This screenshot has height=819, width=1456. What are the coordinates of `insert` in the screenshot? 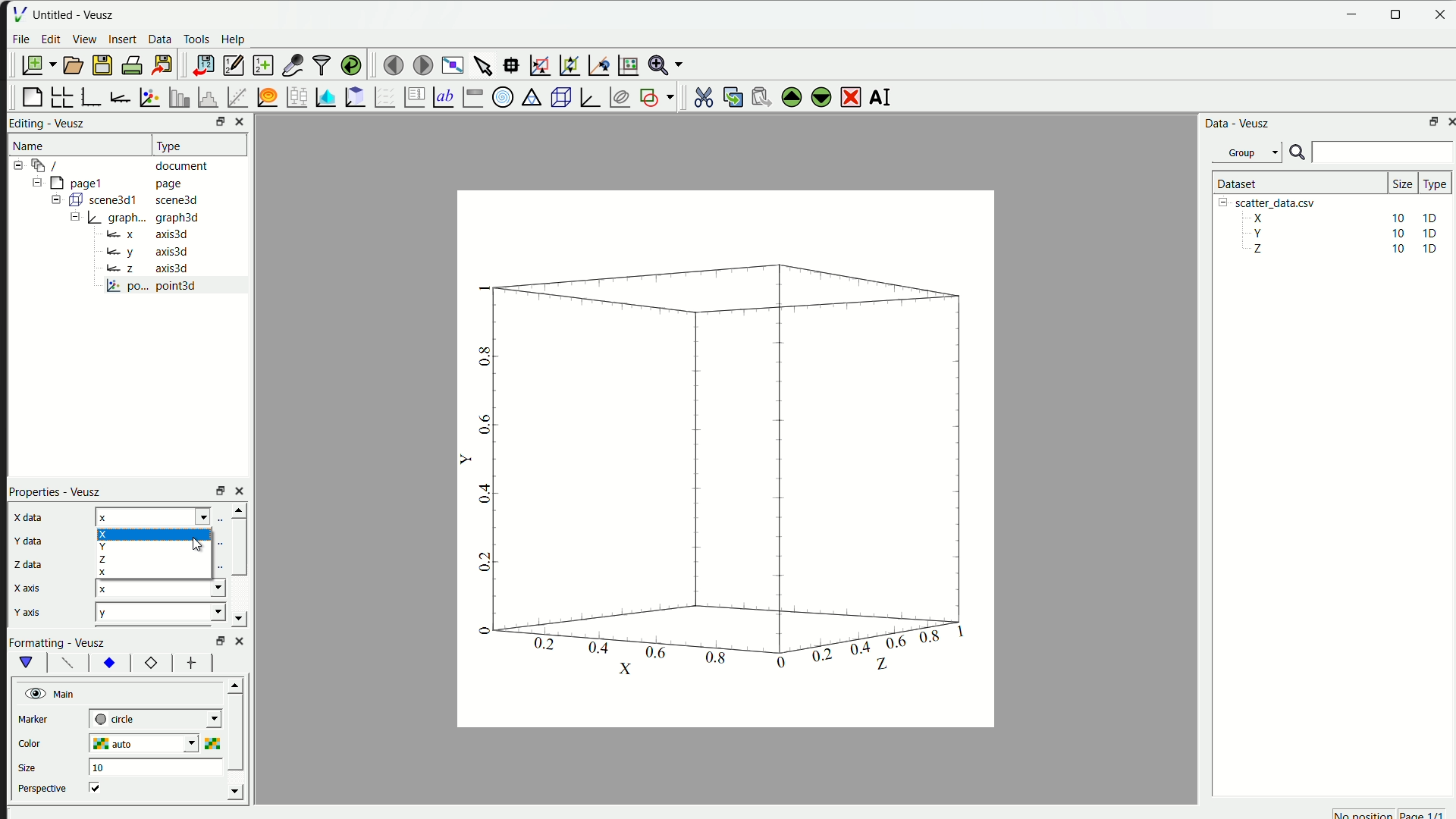 It's located at (122, 40).